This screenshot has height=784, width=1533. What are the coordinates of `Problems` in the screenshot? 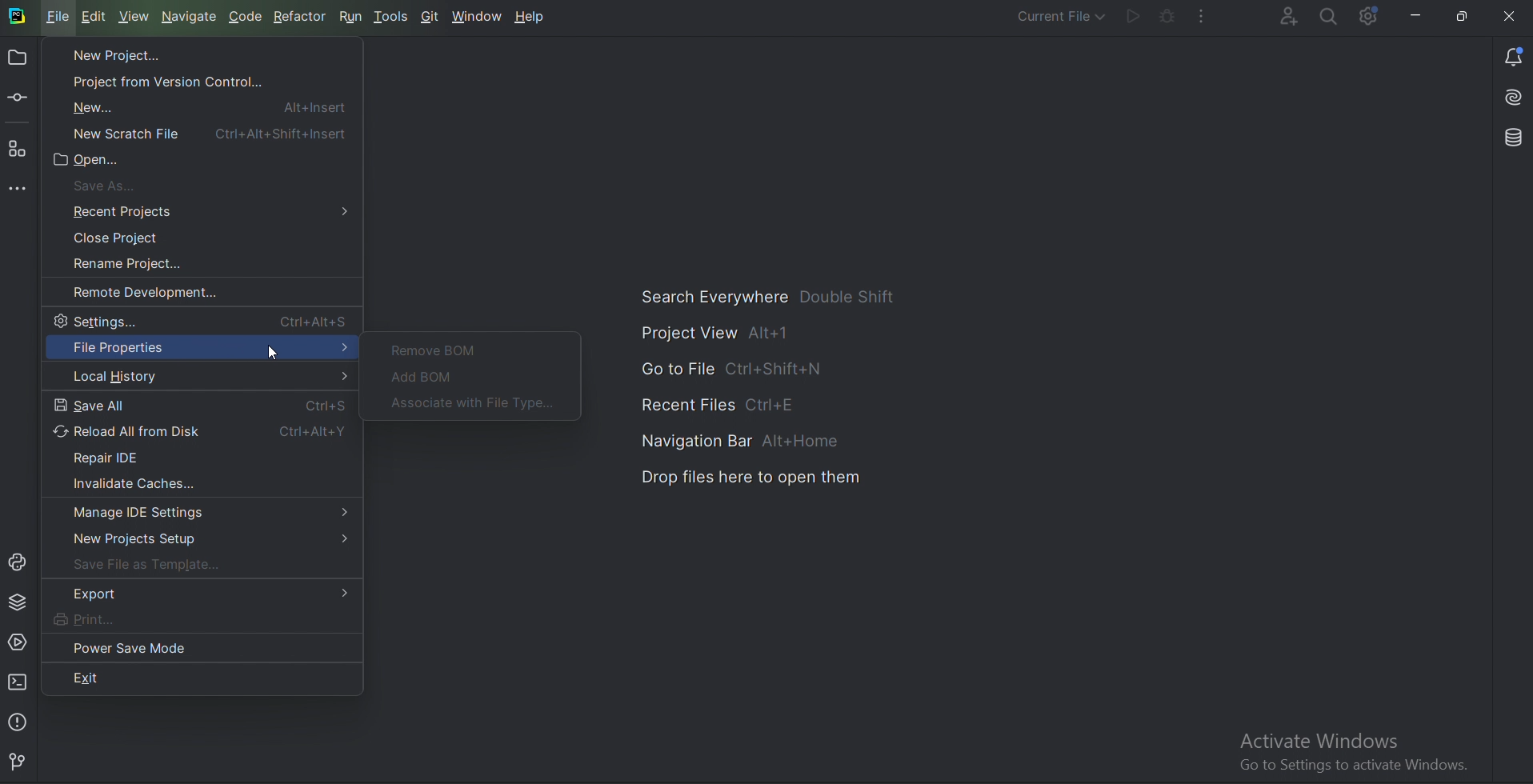 It's located at (20, 722).